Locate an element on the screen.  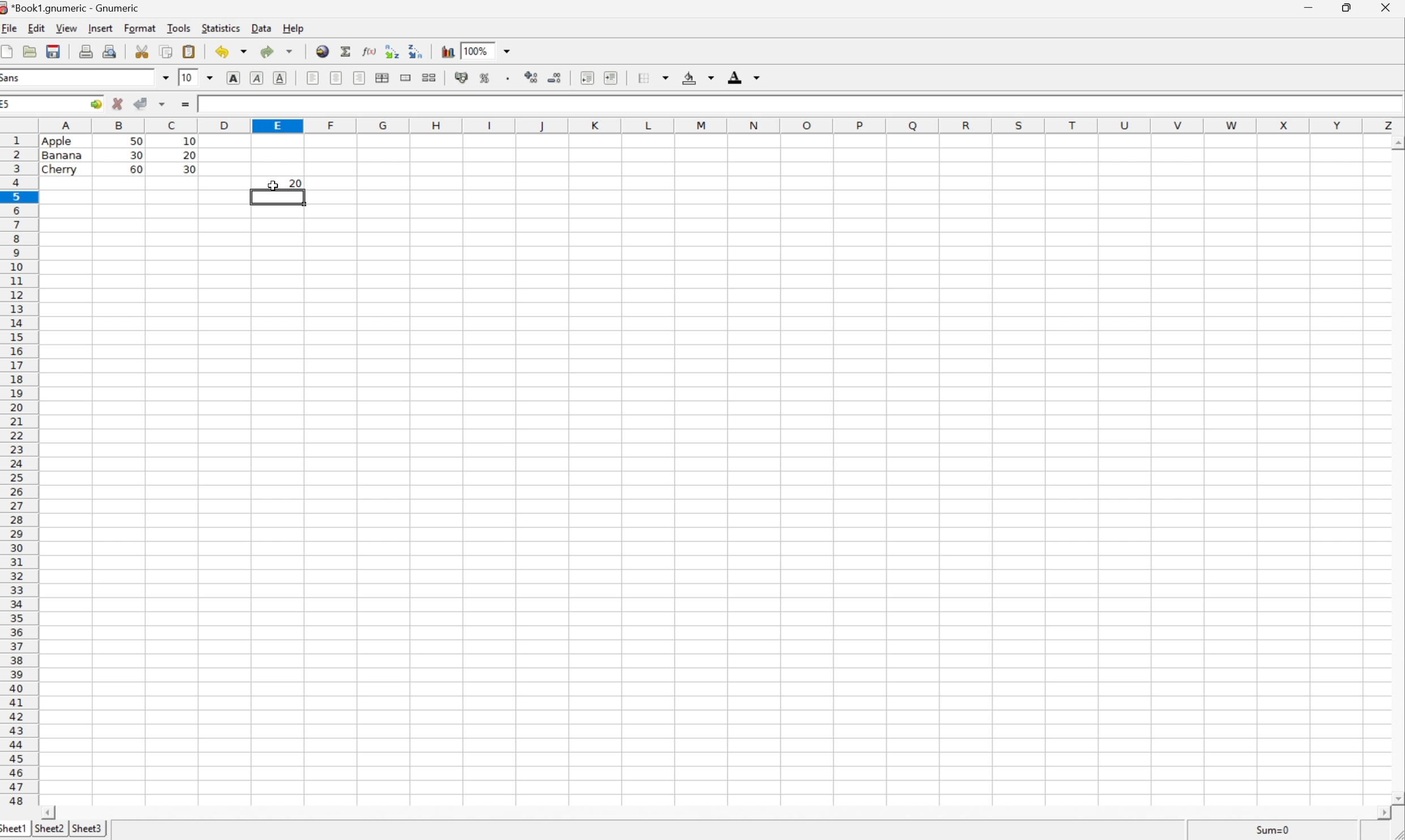
enter formula is located at coordinates (186, 104).